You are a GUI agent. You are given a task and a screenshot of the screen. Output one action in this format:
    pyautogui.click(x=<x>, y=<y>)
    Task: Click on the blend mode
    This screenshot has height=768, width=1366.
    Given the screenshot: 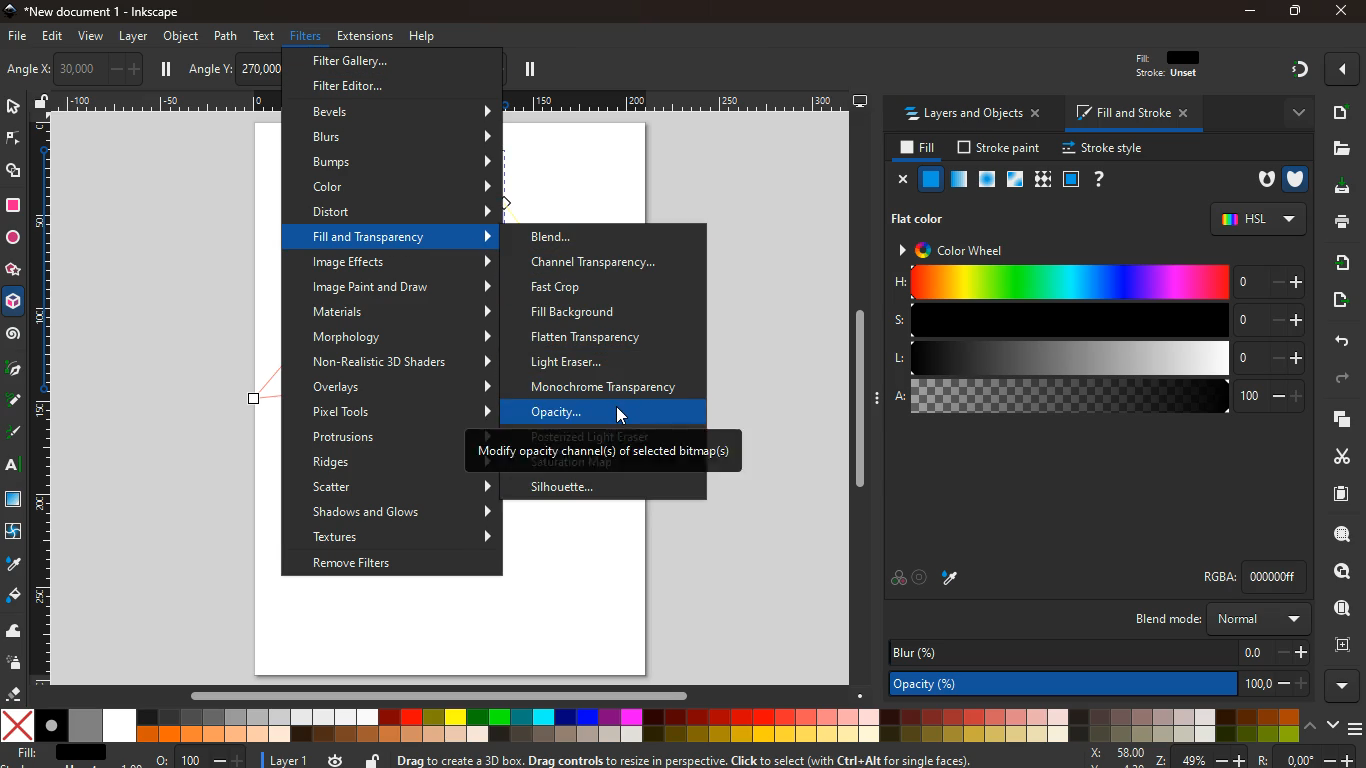 What is the action you would take?
    pyautogui.click(x=1218, y=620)
    